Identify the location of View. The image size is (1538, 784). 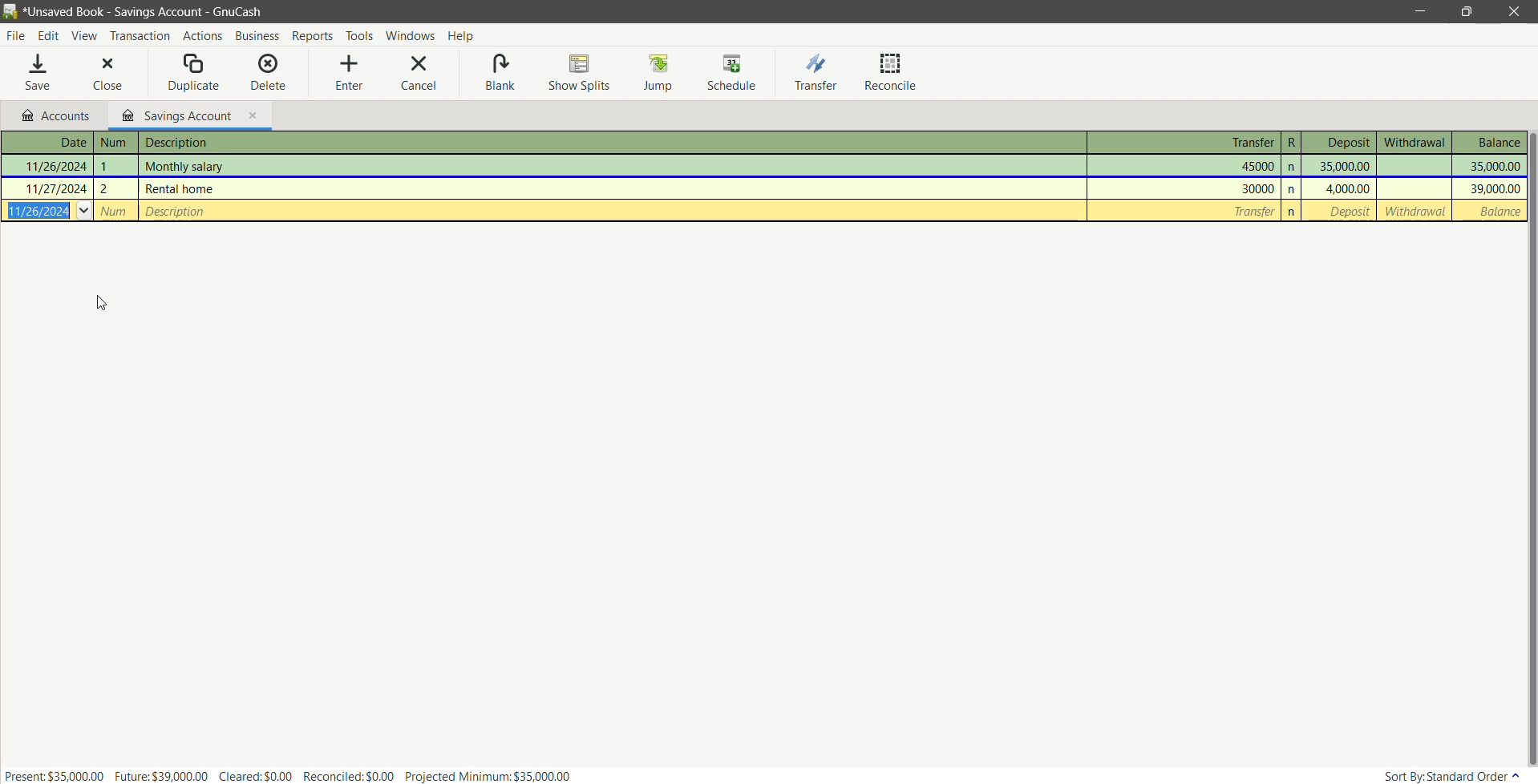
(85, 34).